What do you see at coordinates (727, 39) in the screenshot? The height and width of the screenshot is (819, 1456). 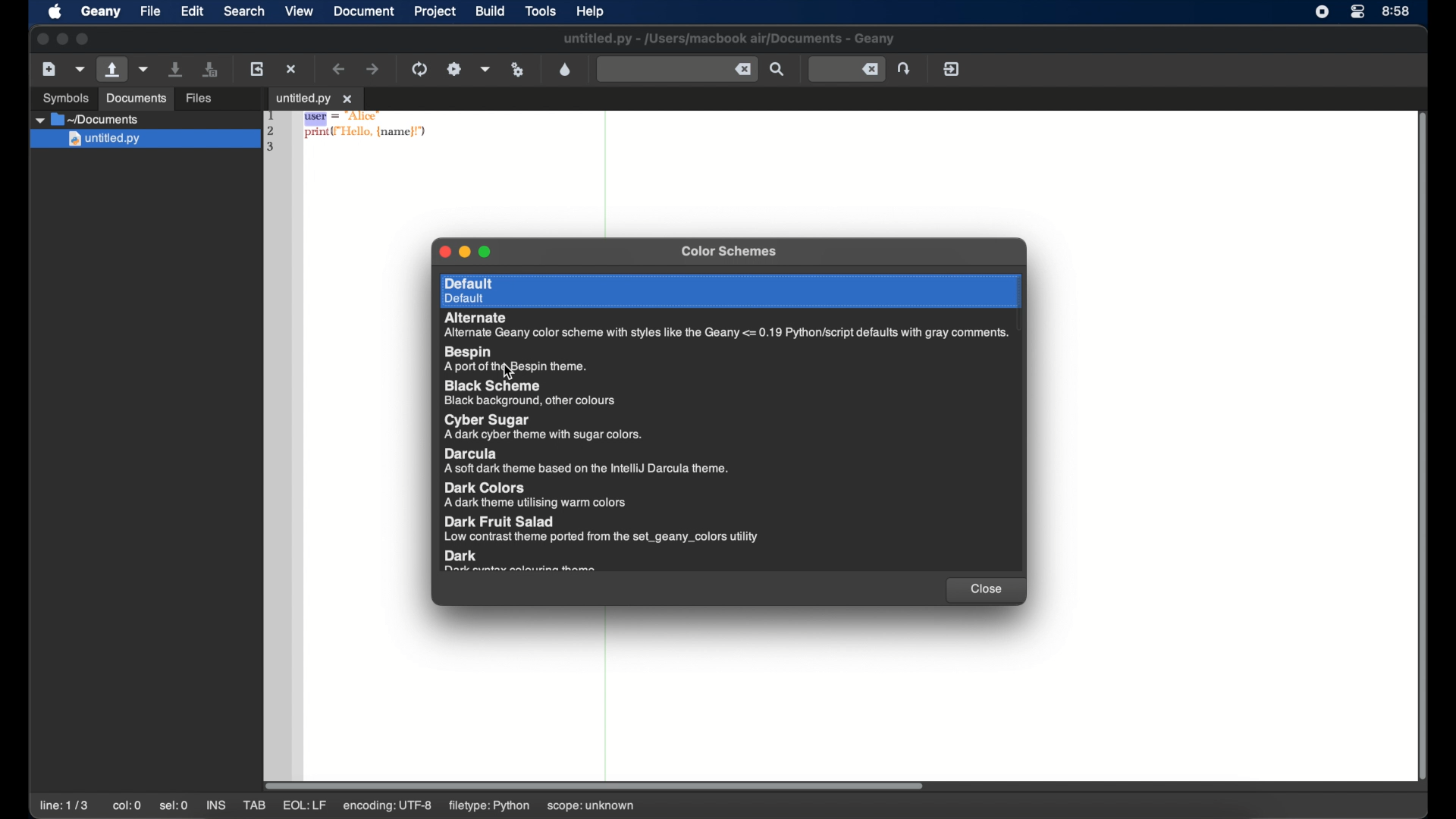 I see `file name` at bounding box center [727, 39].